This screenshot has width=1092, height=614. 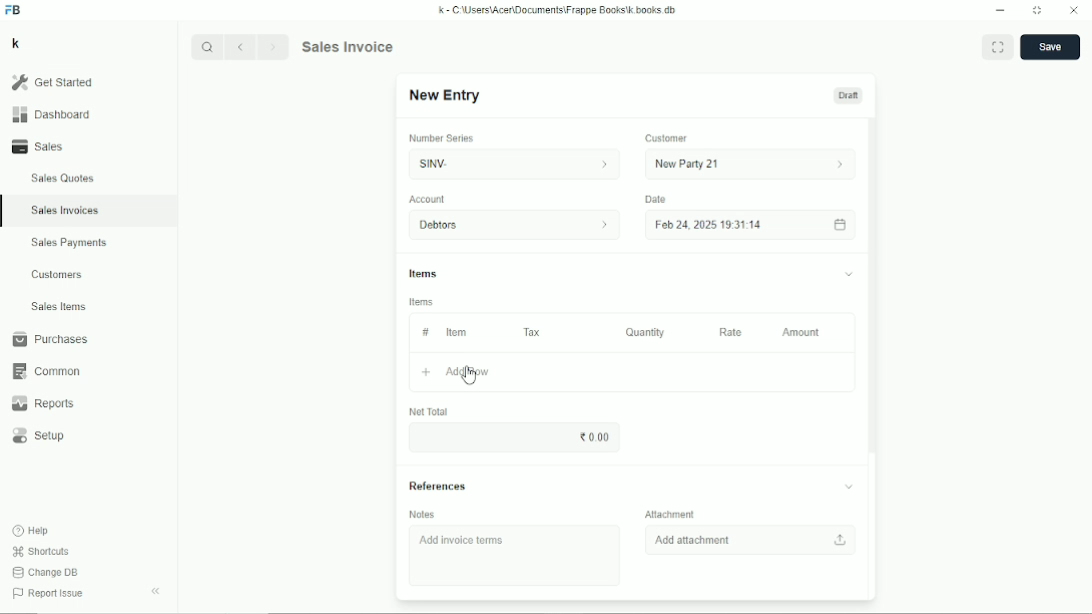 What do you see at coordinates (58, 307) in the screenshot?
I see `Sales items` at bounding box center [58, 307].